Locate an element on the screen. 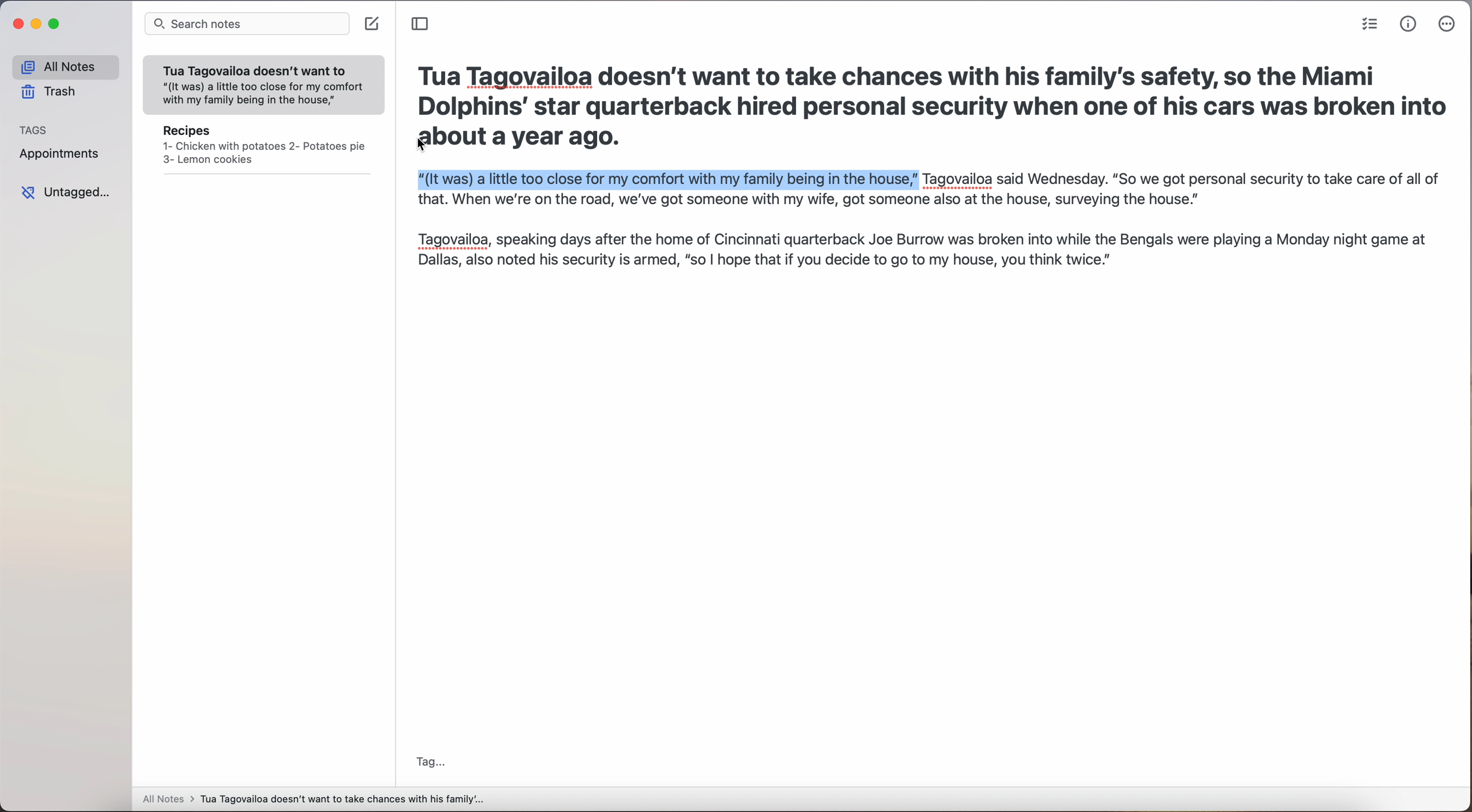 The width and height of the screenshot is (1472, 812). toggle sidebar is located at coordinates (421, 24).